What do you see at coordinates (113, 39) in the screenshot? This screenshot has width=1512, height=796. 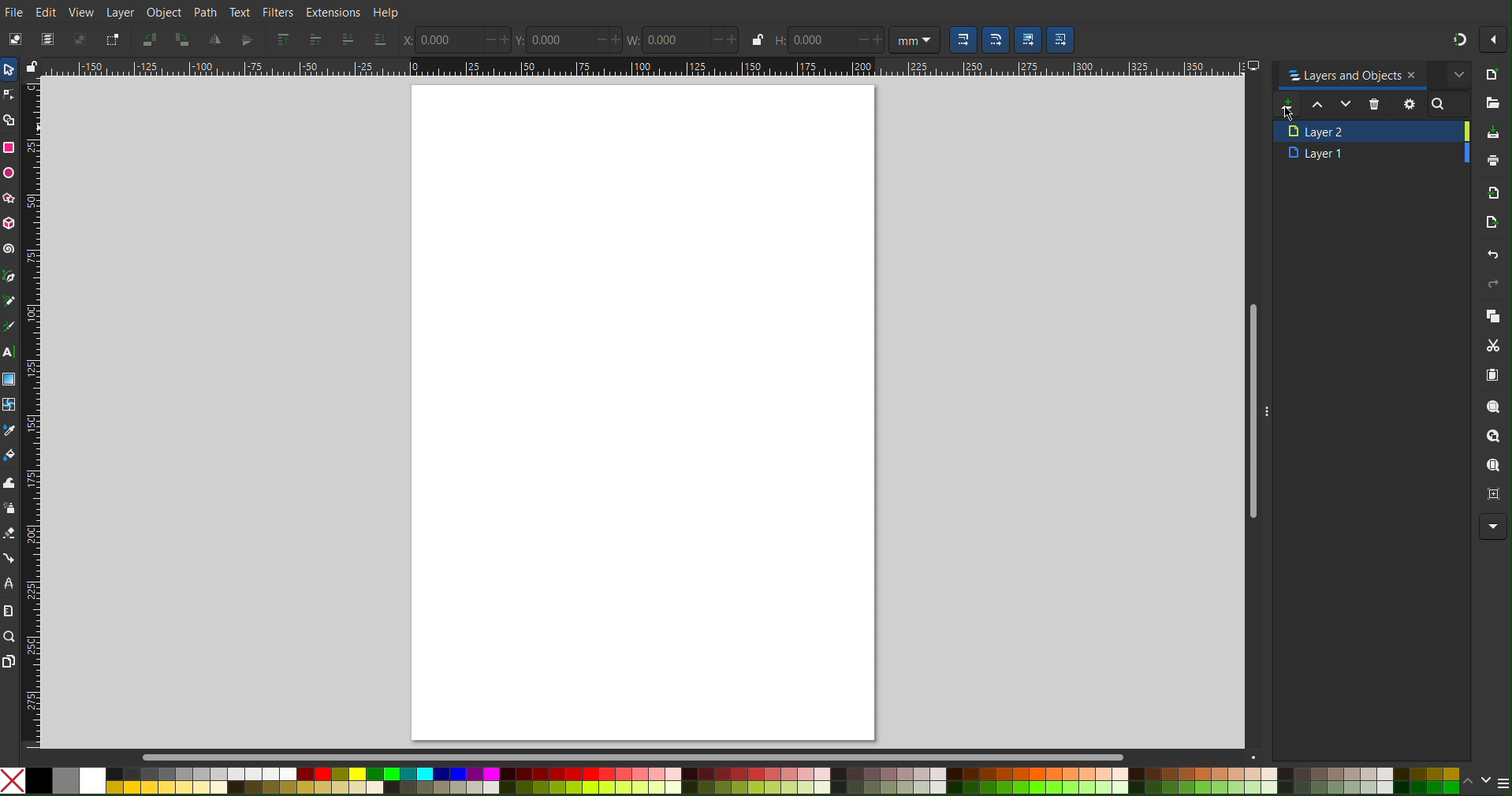 I see `Toggle Selection Box` at bounding box center [113, 39].